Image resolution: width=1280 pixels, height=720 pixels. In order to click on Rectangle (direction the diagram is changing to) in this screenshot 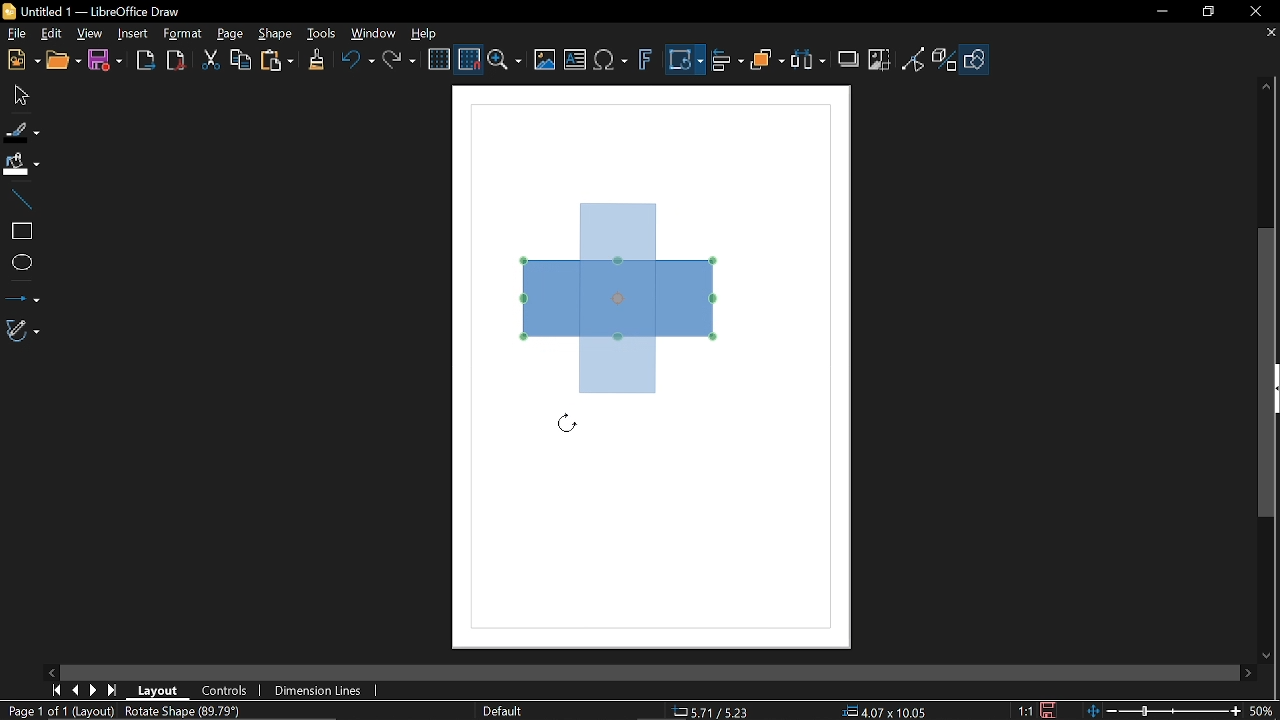, I will do `click(617, 294)`.